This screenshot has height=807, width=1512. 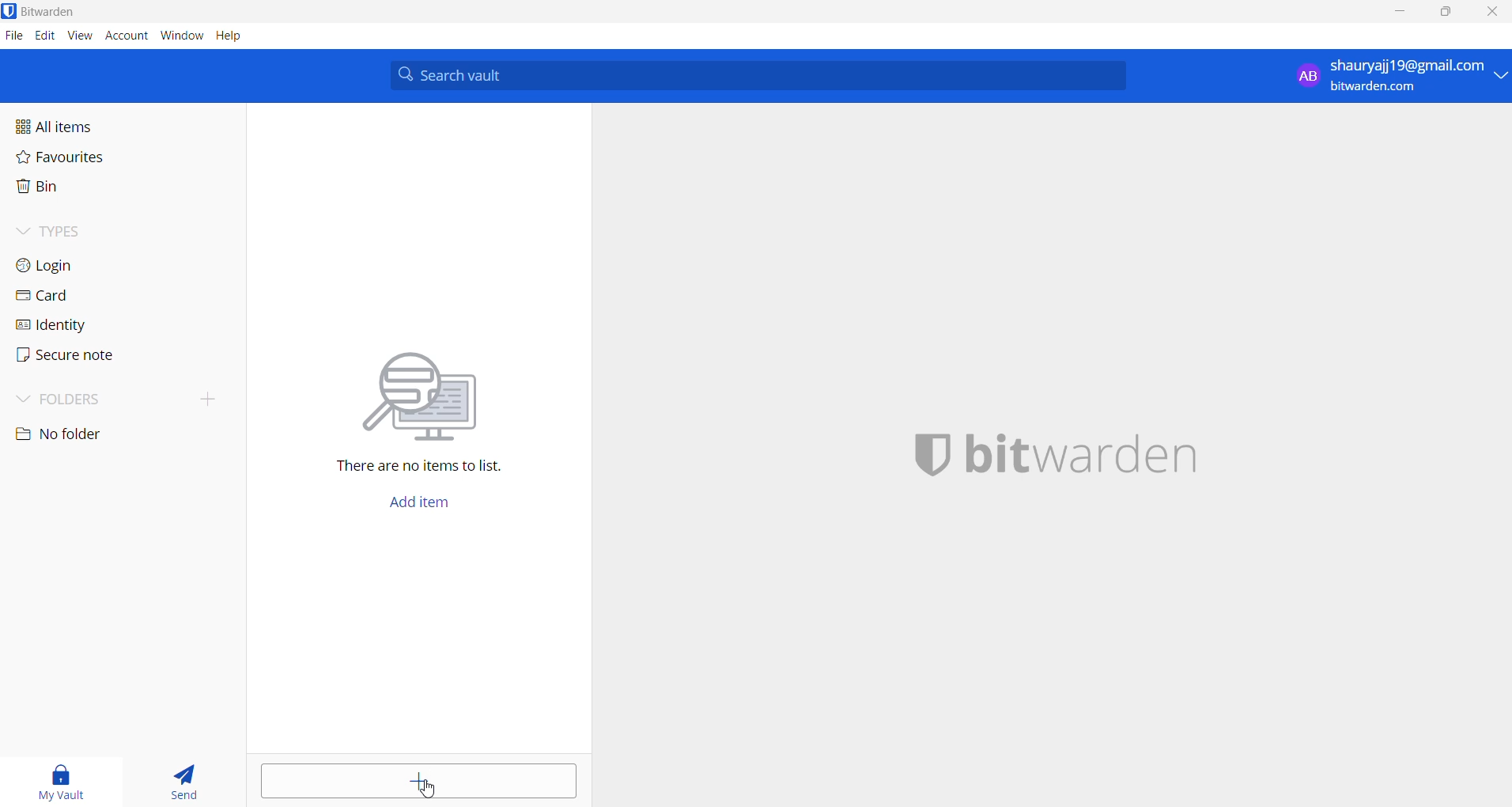 What do you see at coordinates (9, 10) in the screenshot?
I see `application logo` at bounding box center [9, 10].